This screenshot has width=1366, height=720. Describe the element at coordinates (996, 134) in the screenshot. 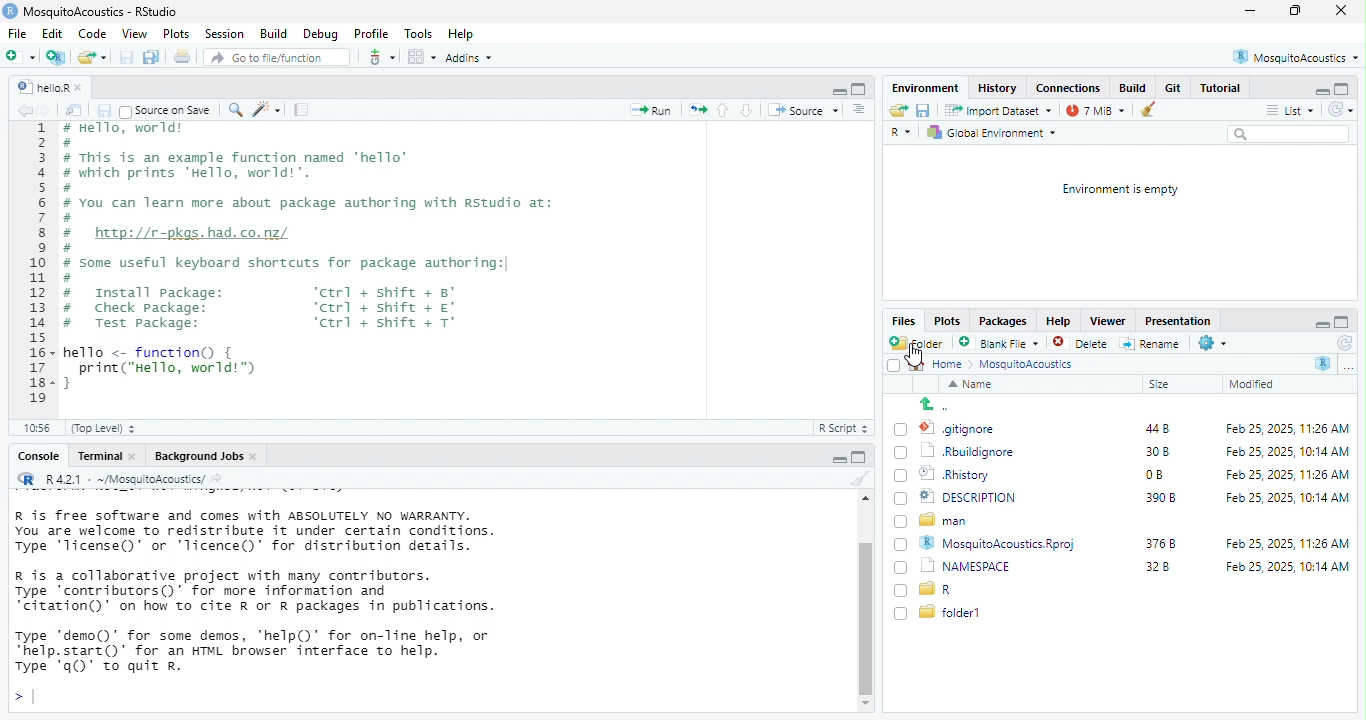

I see ` Global Environment ` at that location.